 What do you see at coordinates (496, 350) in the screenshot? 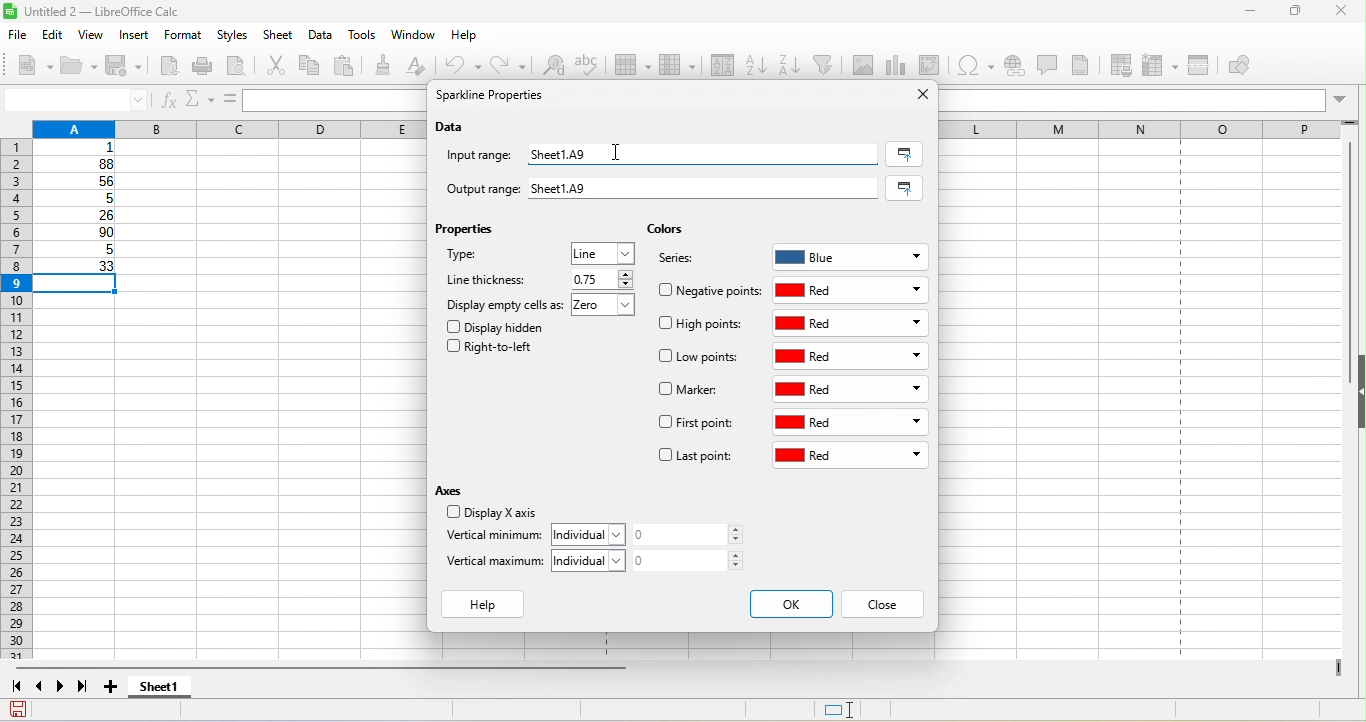
I see `right to left` at bounding box center [496, 350].